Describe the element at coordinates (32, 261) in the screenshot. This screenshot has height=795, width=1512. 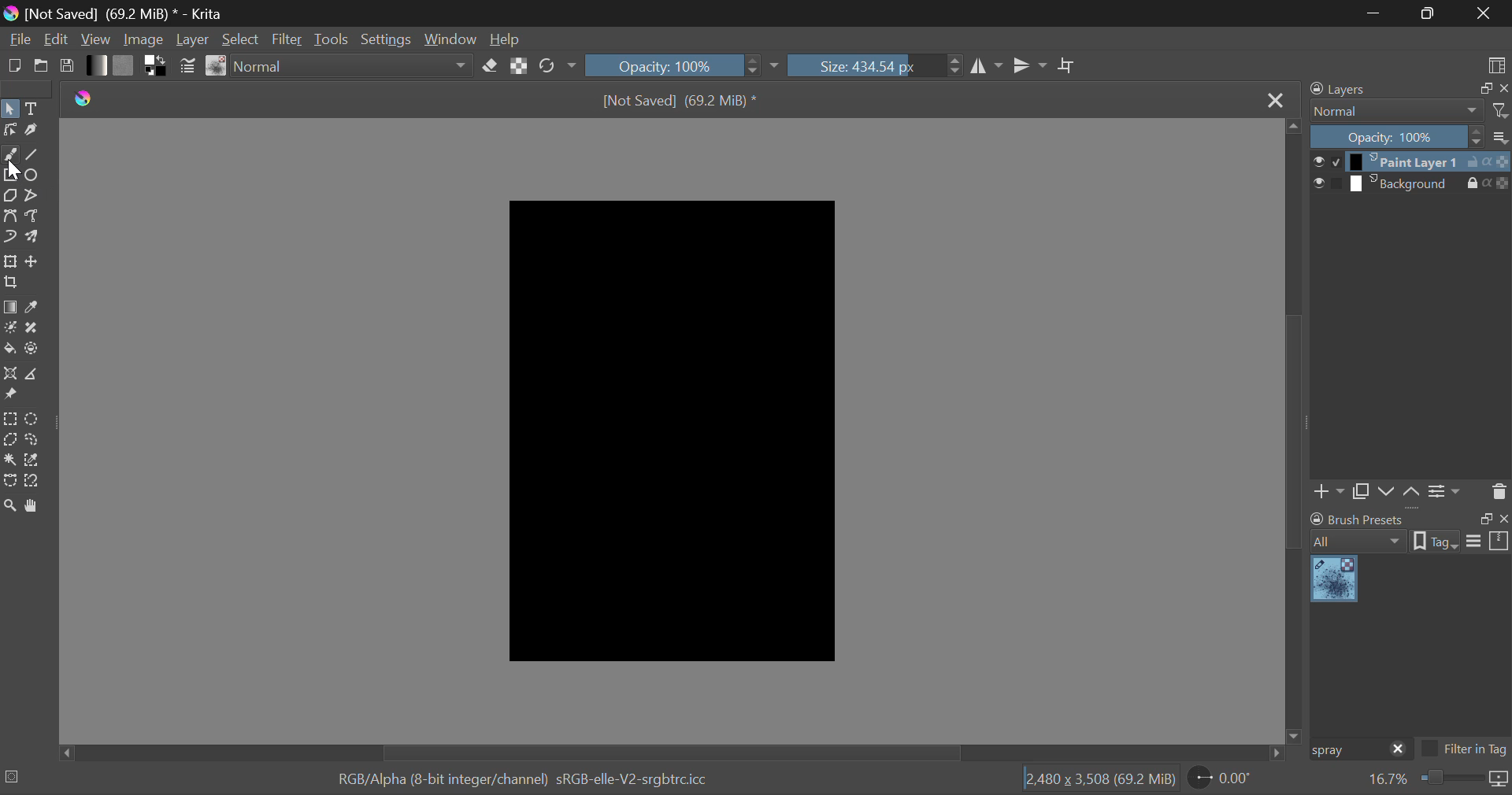
I see `Move Layer` at that location.